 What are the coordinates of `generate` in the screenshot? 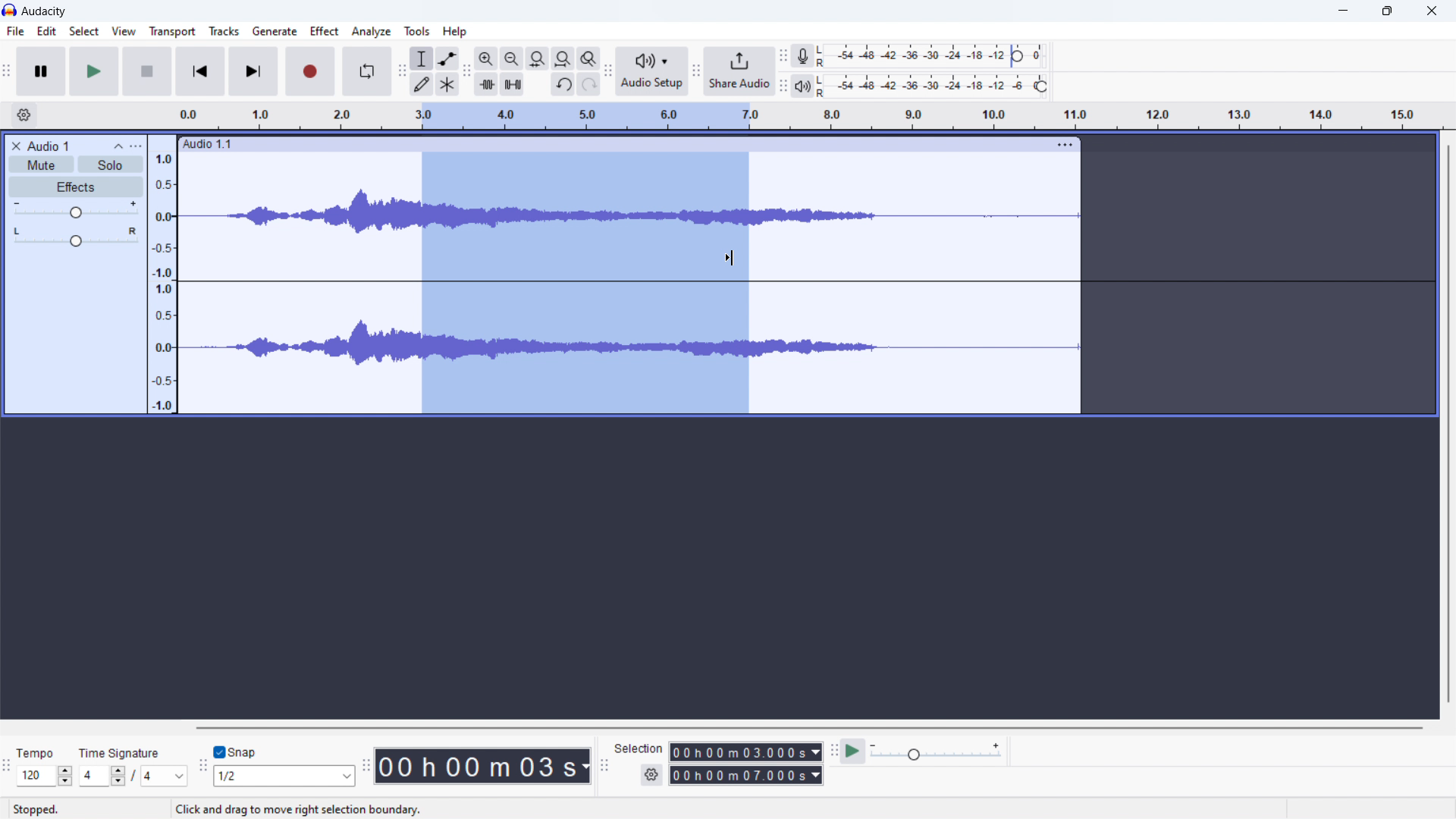 It's located at (275, 32).